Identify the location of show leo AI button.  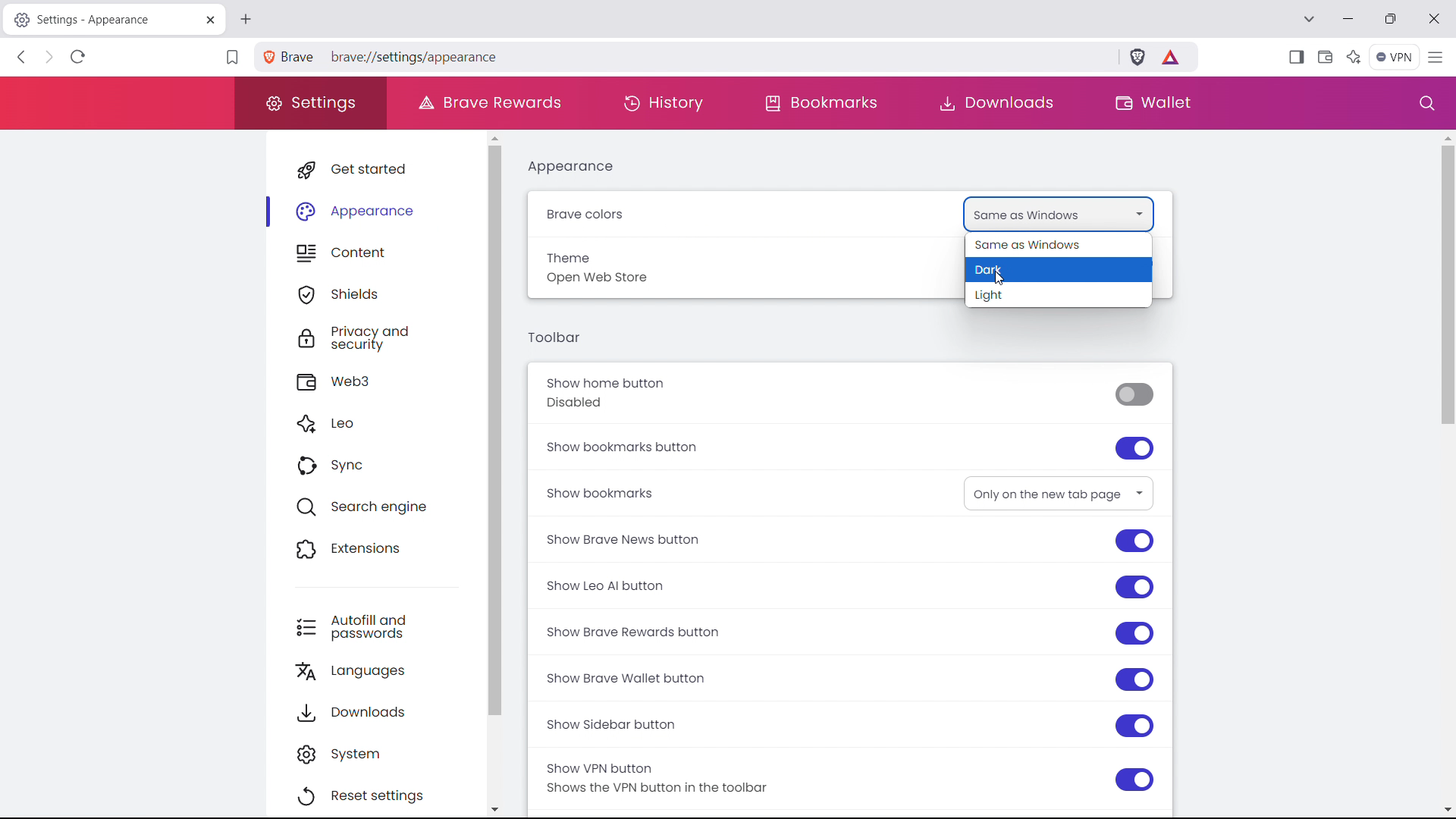
(849, 586).